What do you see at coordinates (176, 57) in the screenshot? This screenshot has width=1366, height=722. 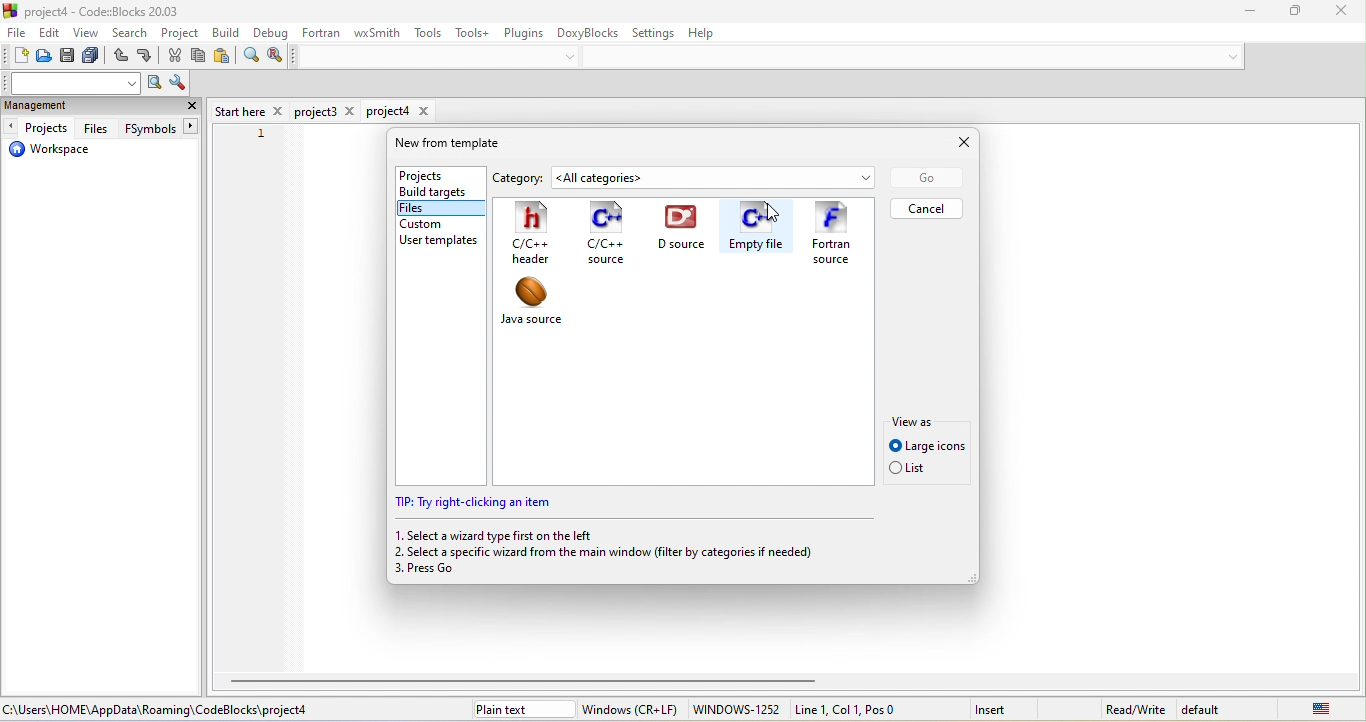 I see `cut` at bounding box center [176, 57].